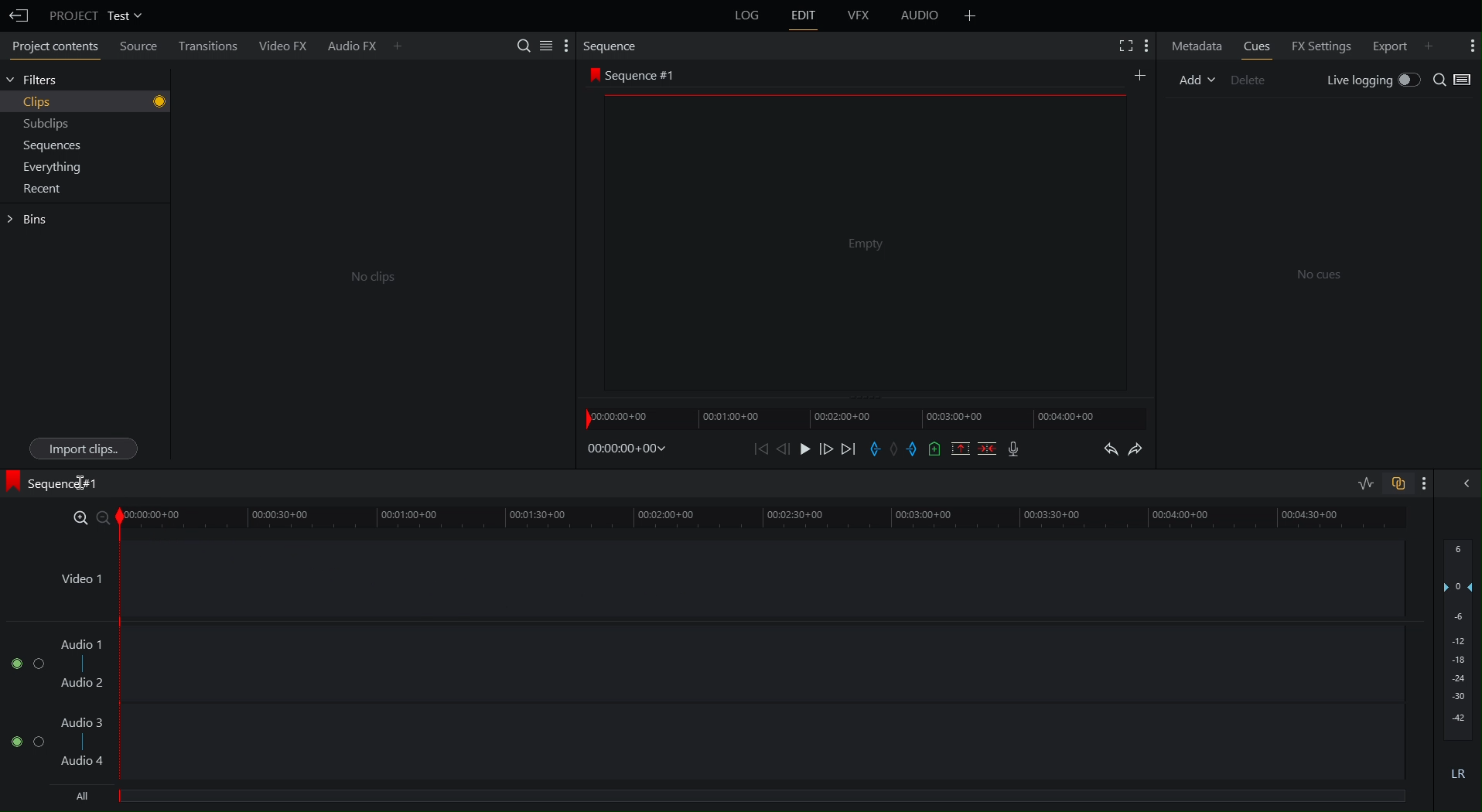  Describe the element at coordinates (968, 15) in the screenshot. I see `Add` at that location.